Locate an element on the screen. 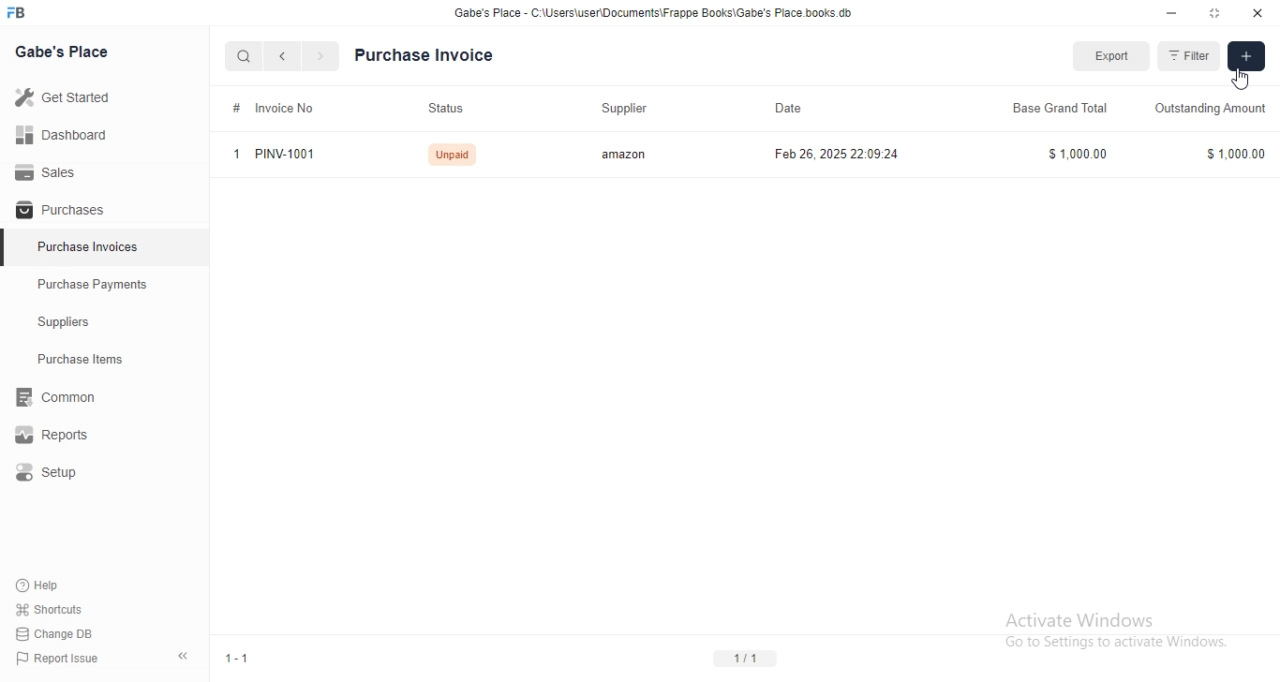 The image size is (1280, 682). # Invoice No is located at coordinates (280, 108).